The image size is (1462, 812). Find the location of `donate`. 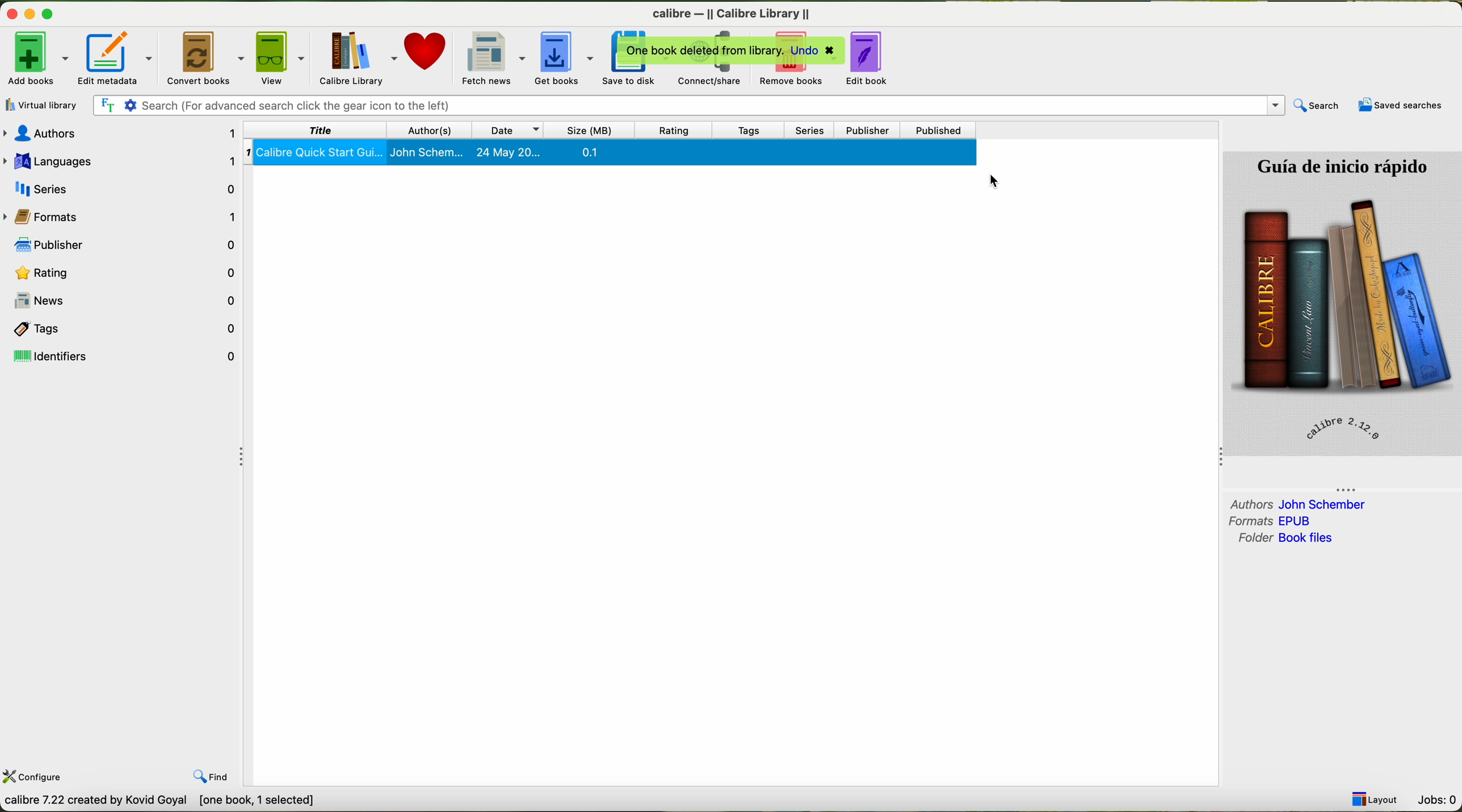

donate is located at coordinates (427, 54).